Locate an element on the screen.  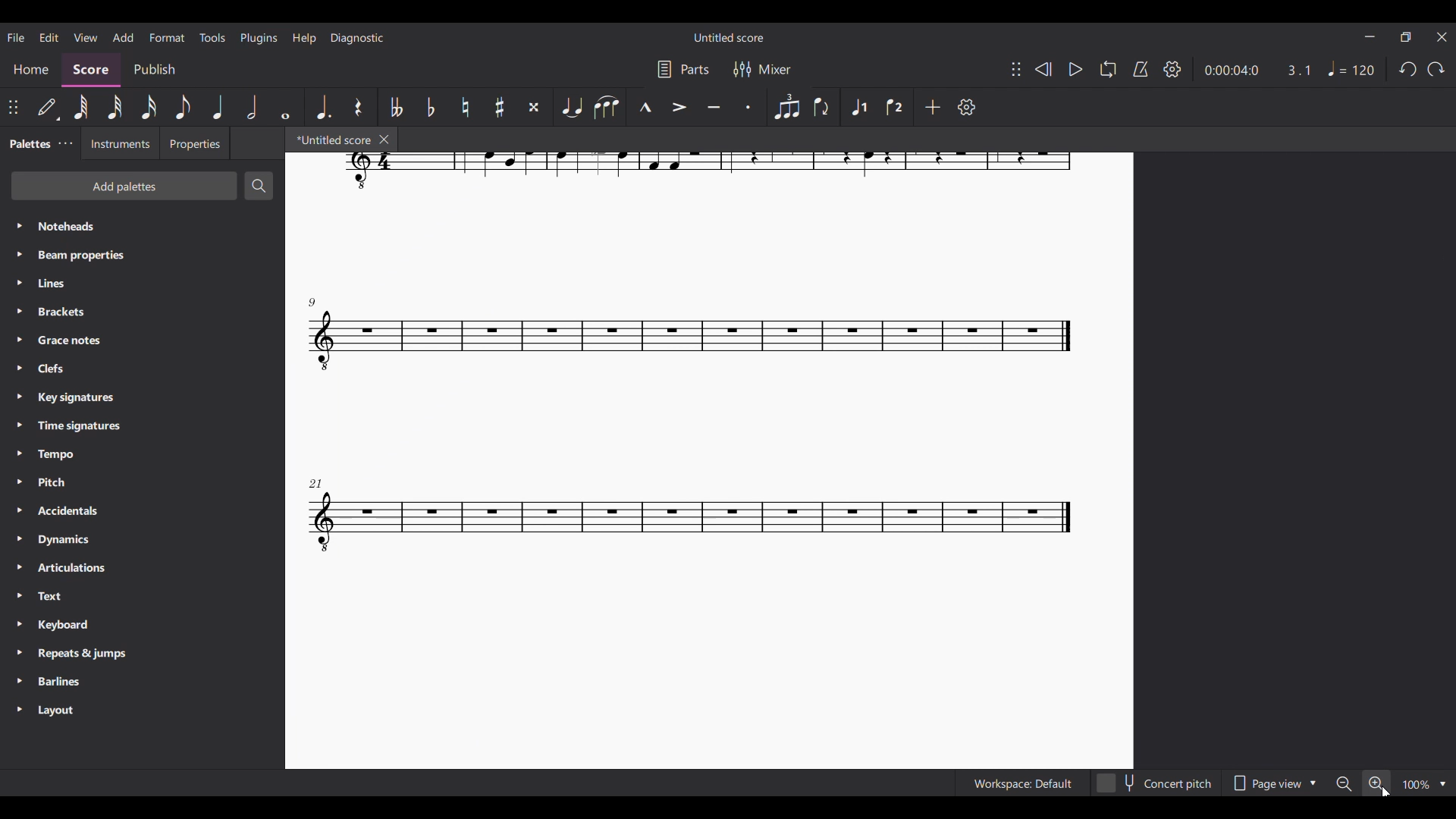
Play is located at coordinates (1076, 70).